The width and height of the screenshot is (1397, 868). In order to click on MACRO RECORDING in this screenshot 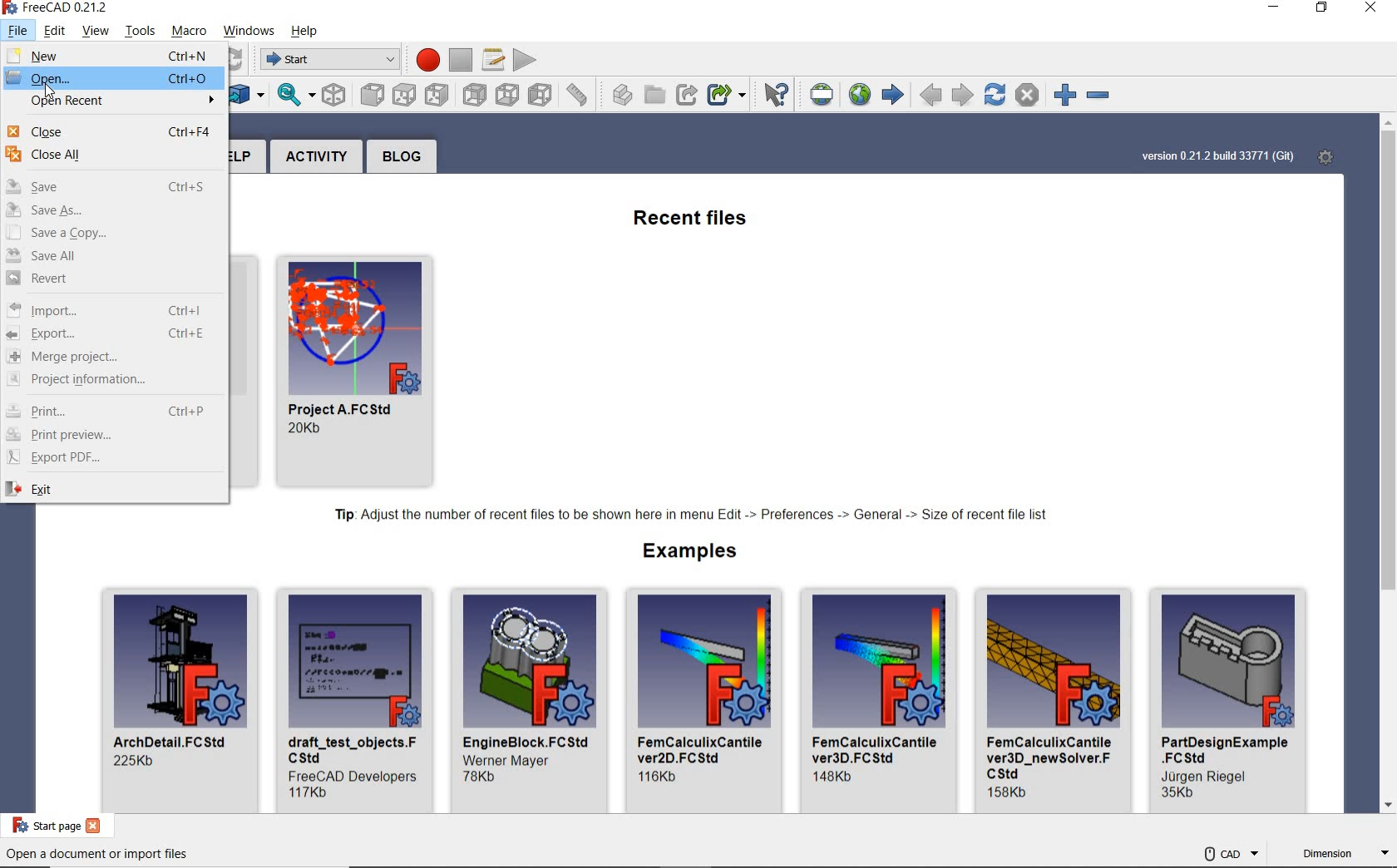, I will do `click(423, 58)`.